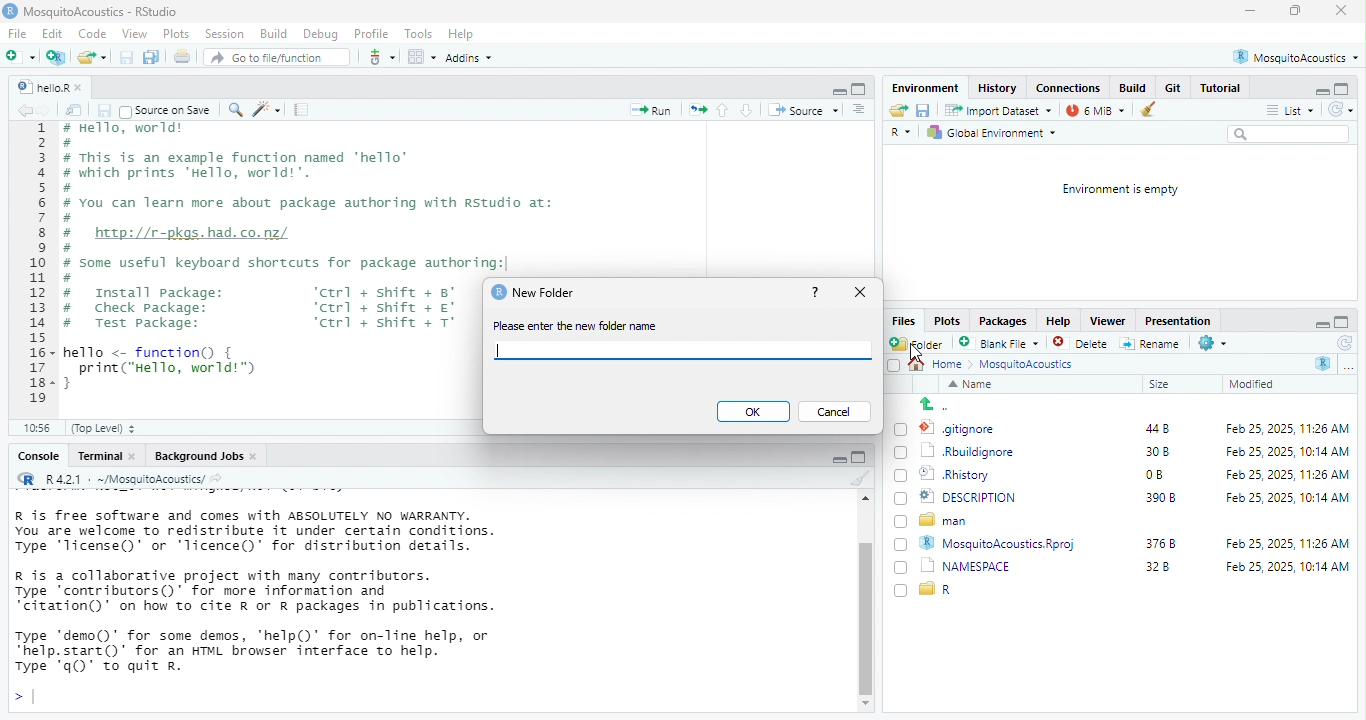 The height and width of the screenshot is (720, 1366). Describe the element at coordinates (905, 134) in the screenshot. I see `r` at that location.